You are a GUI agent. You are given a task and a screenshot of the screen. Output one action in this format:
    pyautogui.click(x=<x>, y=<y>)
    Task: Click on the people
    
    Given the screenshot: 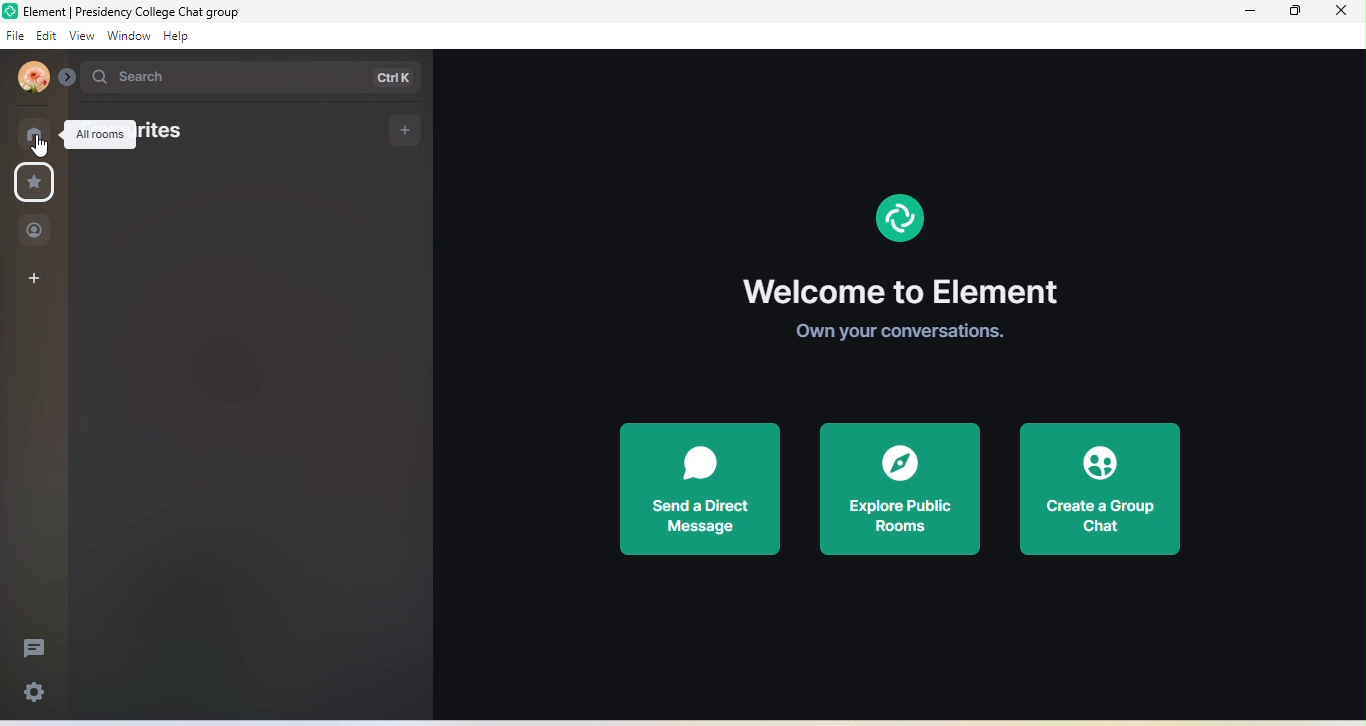 What is the action you would take?
    pyautogui.click(x=37, y=232)
    